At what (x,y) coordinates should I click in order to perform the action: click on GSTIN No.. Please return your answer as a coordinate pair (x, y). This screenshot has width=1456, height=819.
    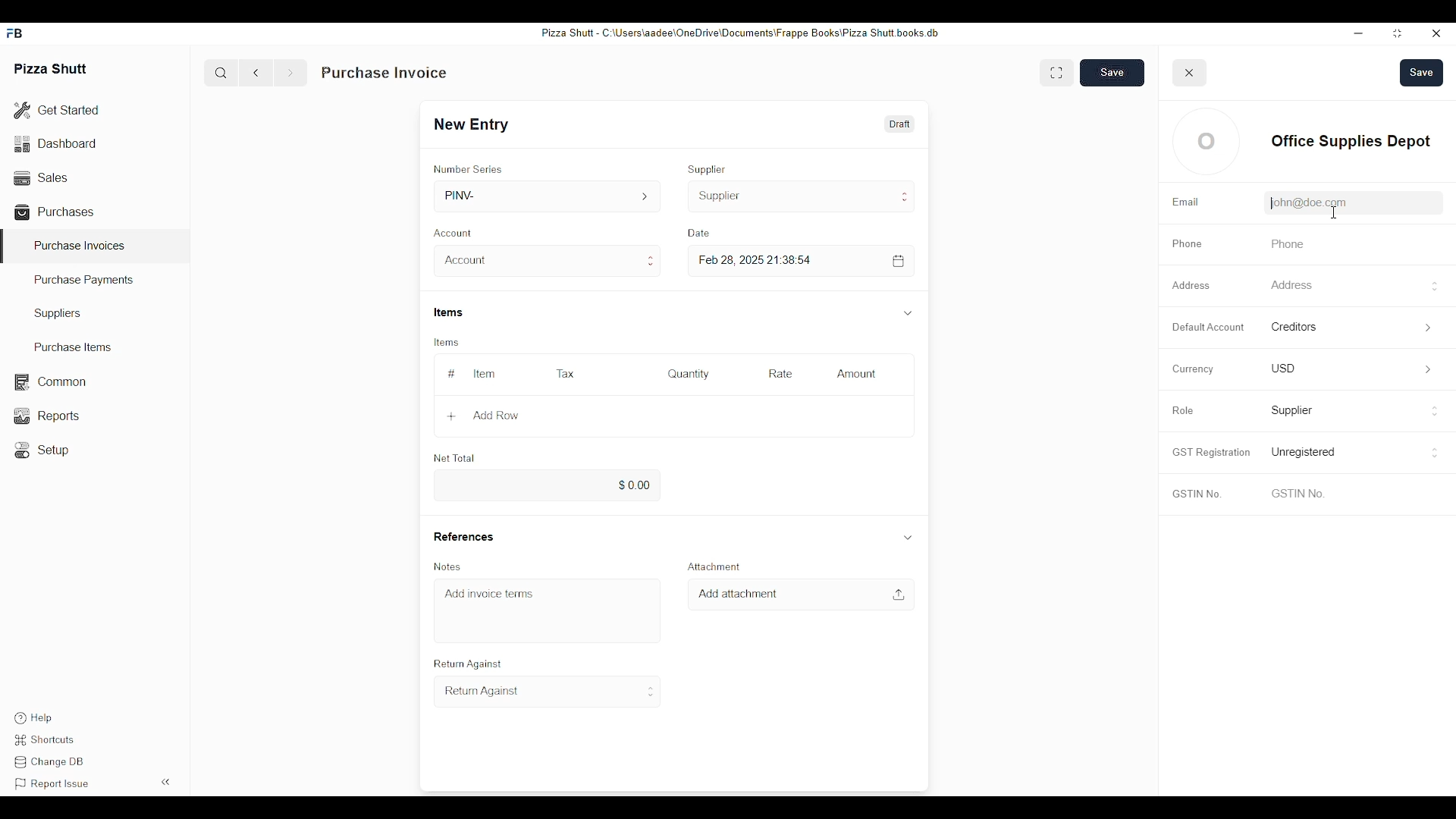
    Looking at the image, I should click on (1196, 495).